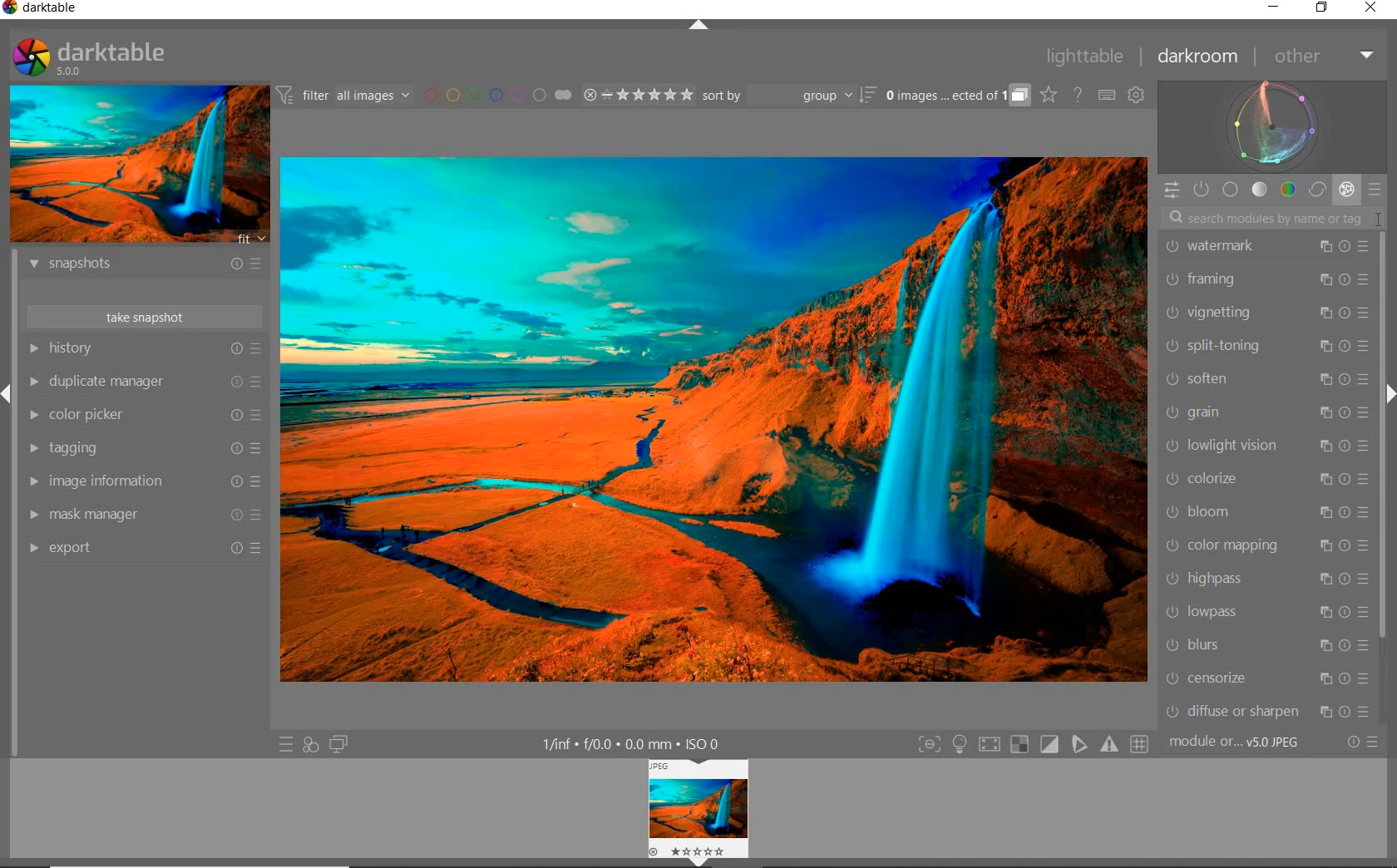 This screenshot has width=1397, height=868. I want to click on QUICK ACCESS PANEL, so click(1172, 190).